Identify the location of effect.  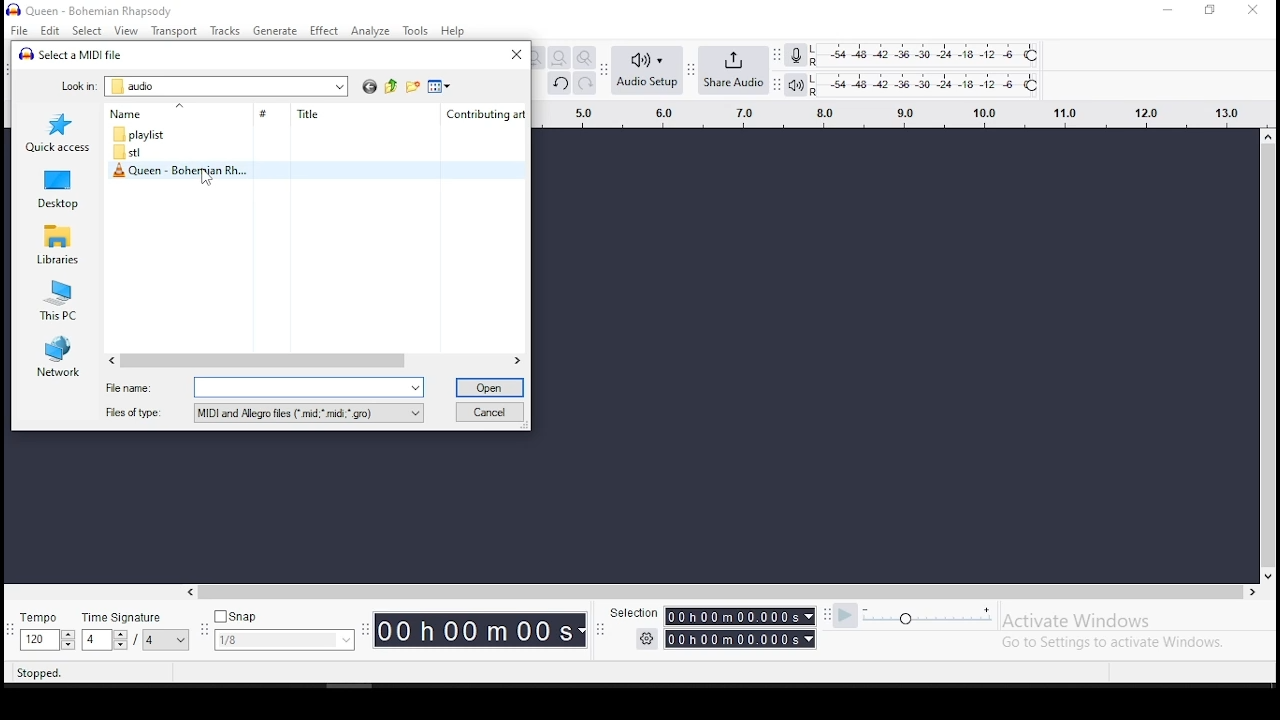
(324, 31).